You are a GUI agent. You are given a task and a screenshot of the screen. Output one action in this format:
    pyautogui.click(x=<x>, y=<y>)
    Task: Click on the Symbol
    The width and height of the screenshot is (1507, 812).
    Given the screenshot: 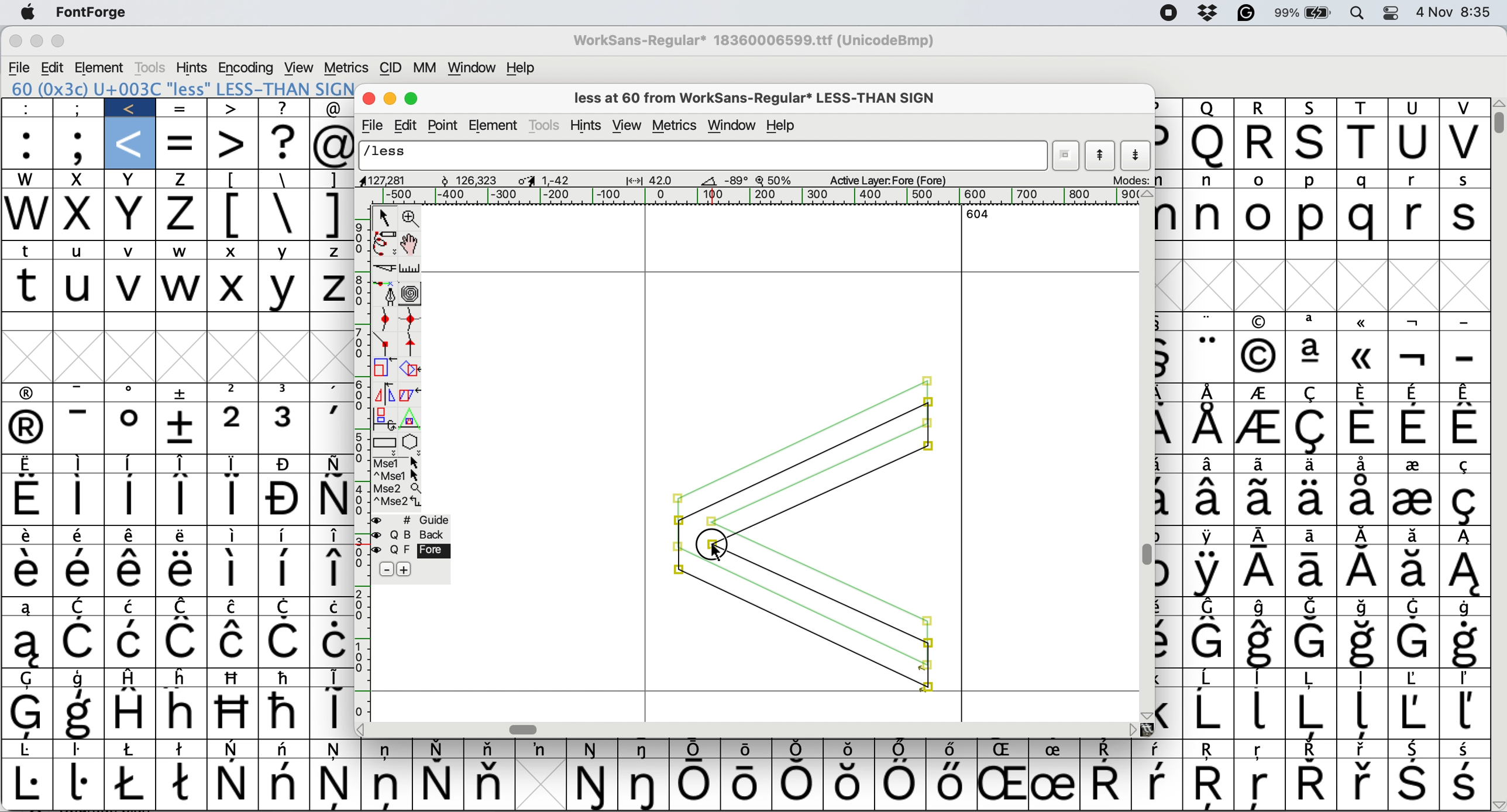 What is the action you would take?
    pyautogui.click(x=1361, y=679)
    